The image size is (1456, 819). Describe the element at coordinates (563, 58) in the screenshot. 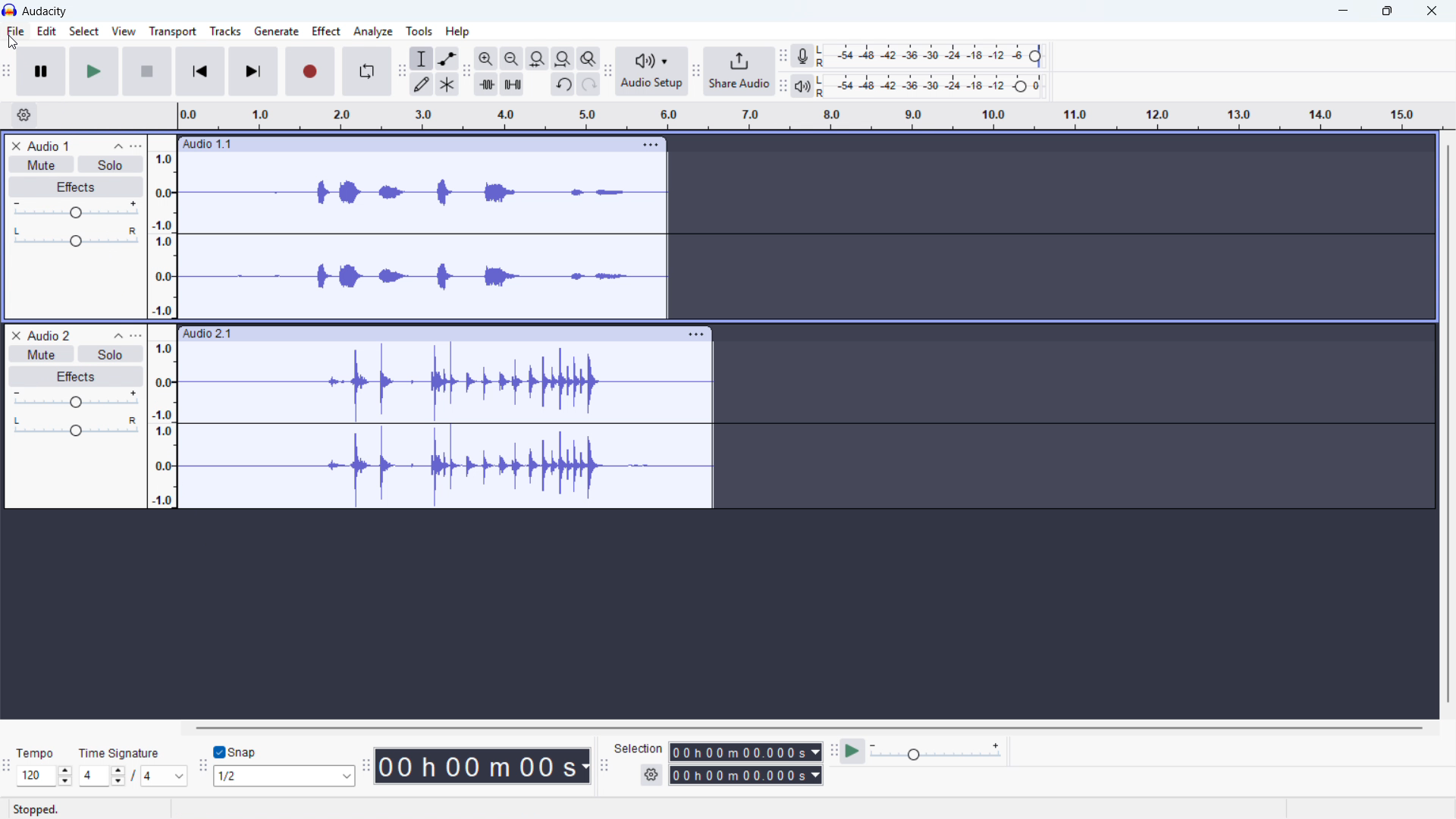

I see `fit project to width` at that location.